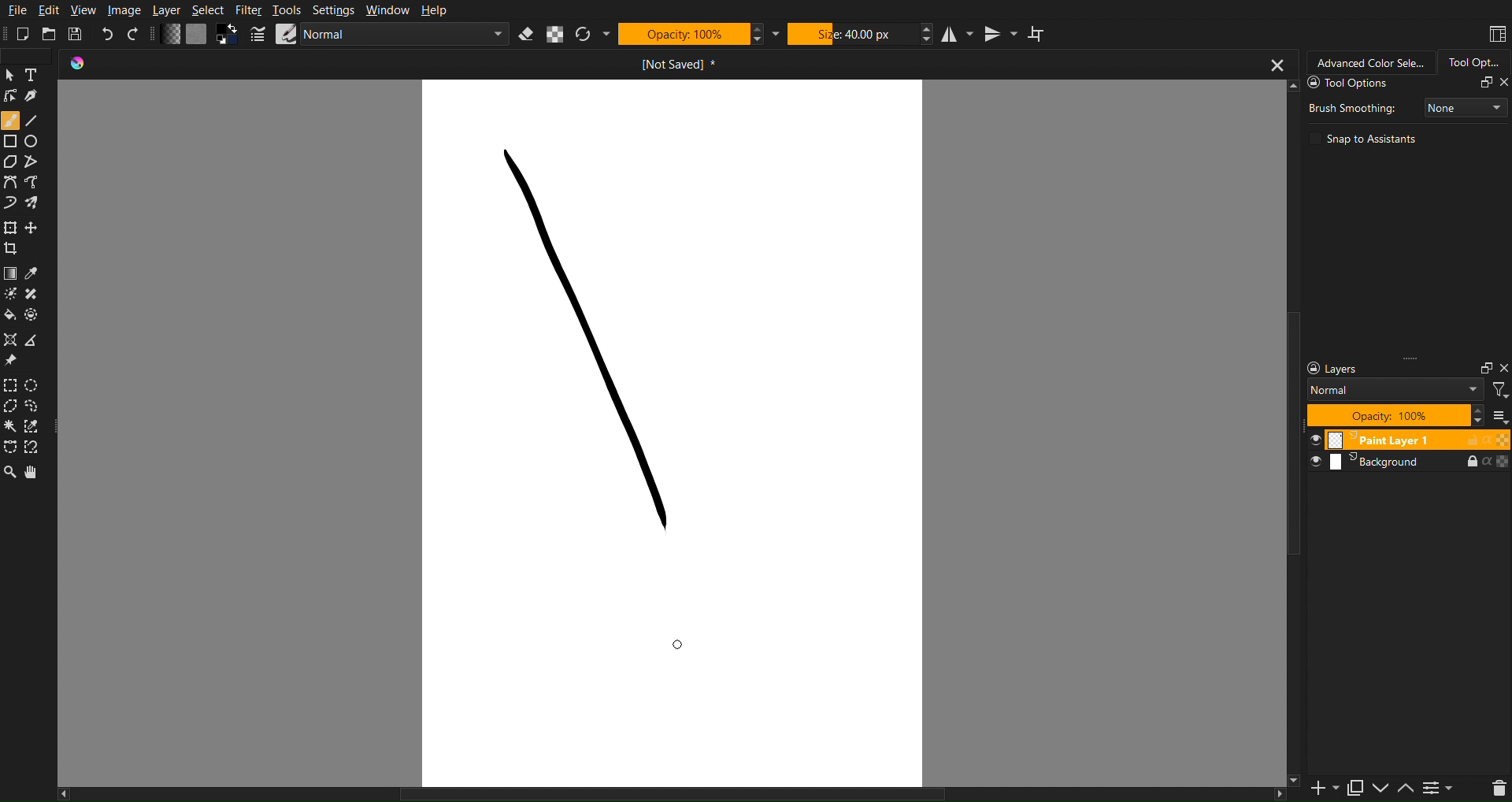 Image resolution: width=1512 pixels, height=802 pixels. I want to click on Filter, so click(1500, 391).